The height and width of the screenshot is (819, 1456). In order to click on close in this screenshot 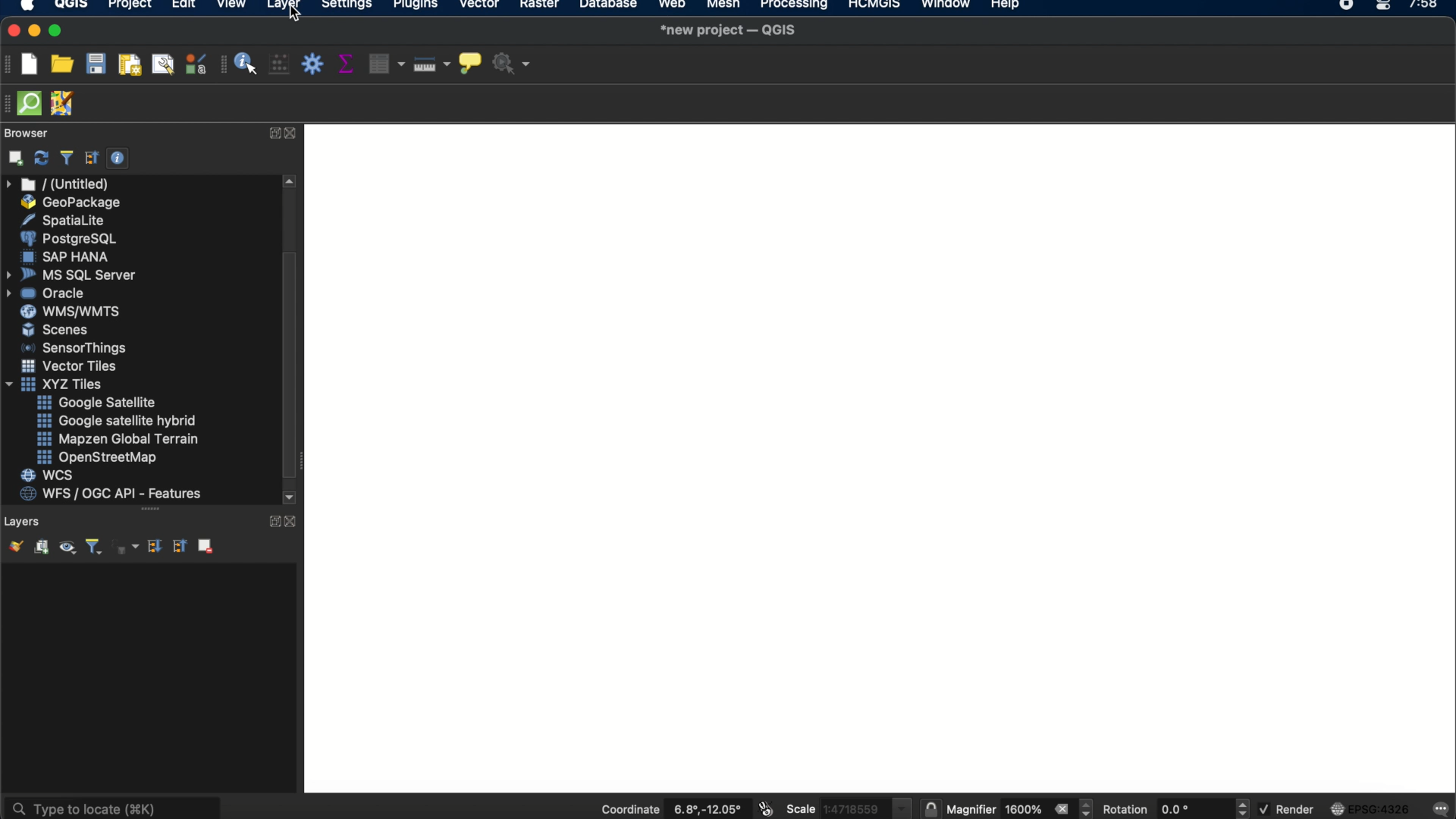, I will do `click(293, 133)`.